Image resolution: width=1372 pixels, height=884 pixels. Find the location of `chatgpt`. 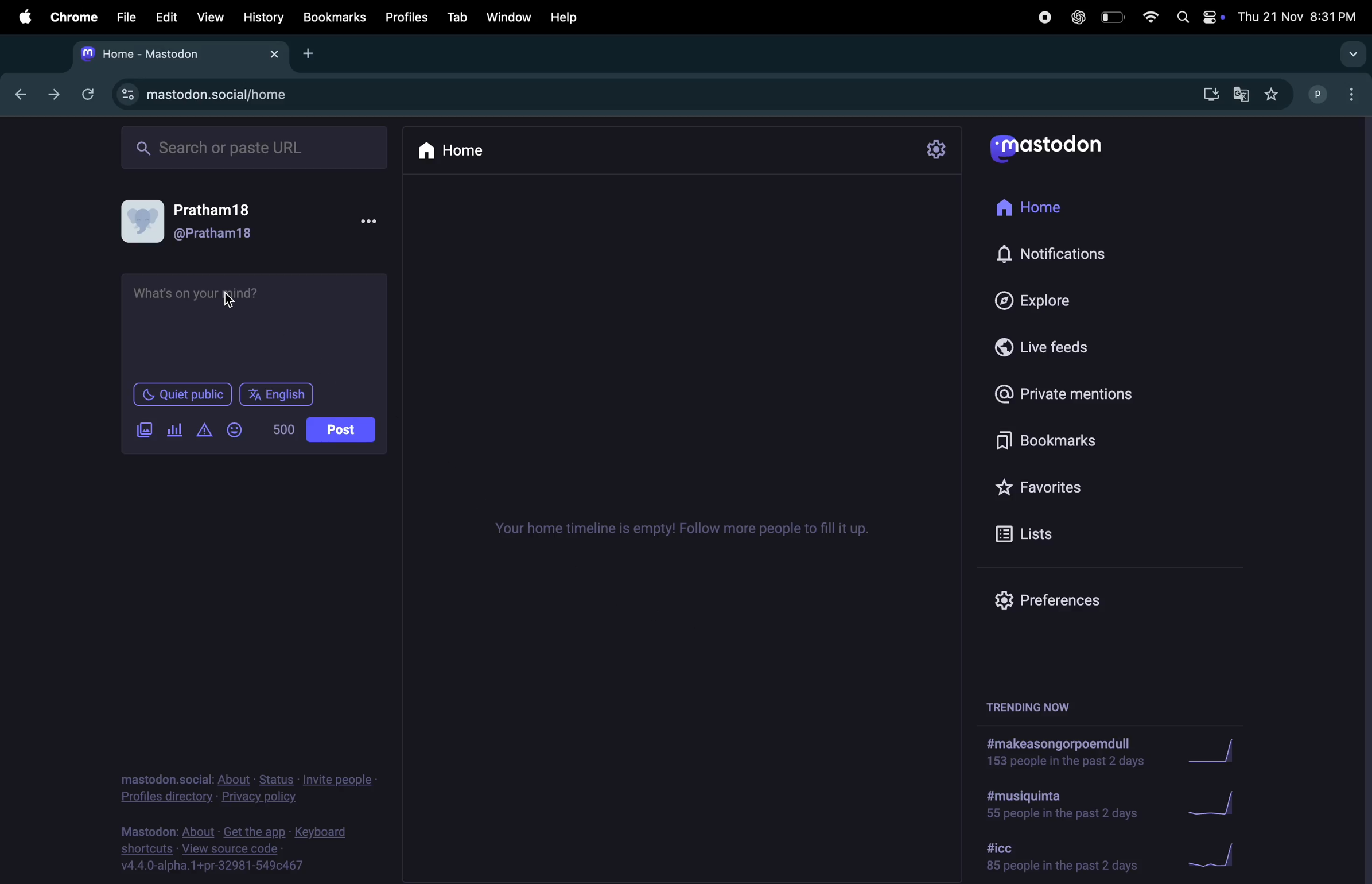

chatgpt is located at coordinates (1076, 17).